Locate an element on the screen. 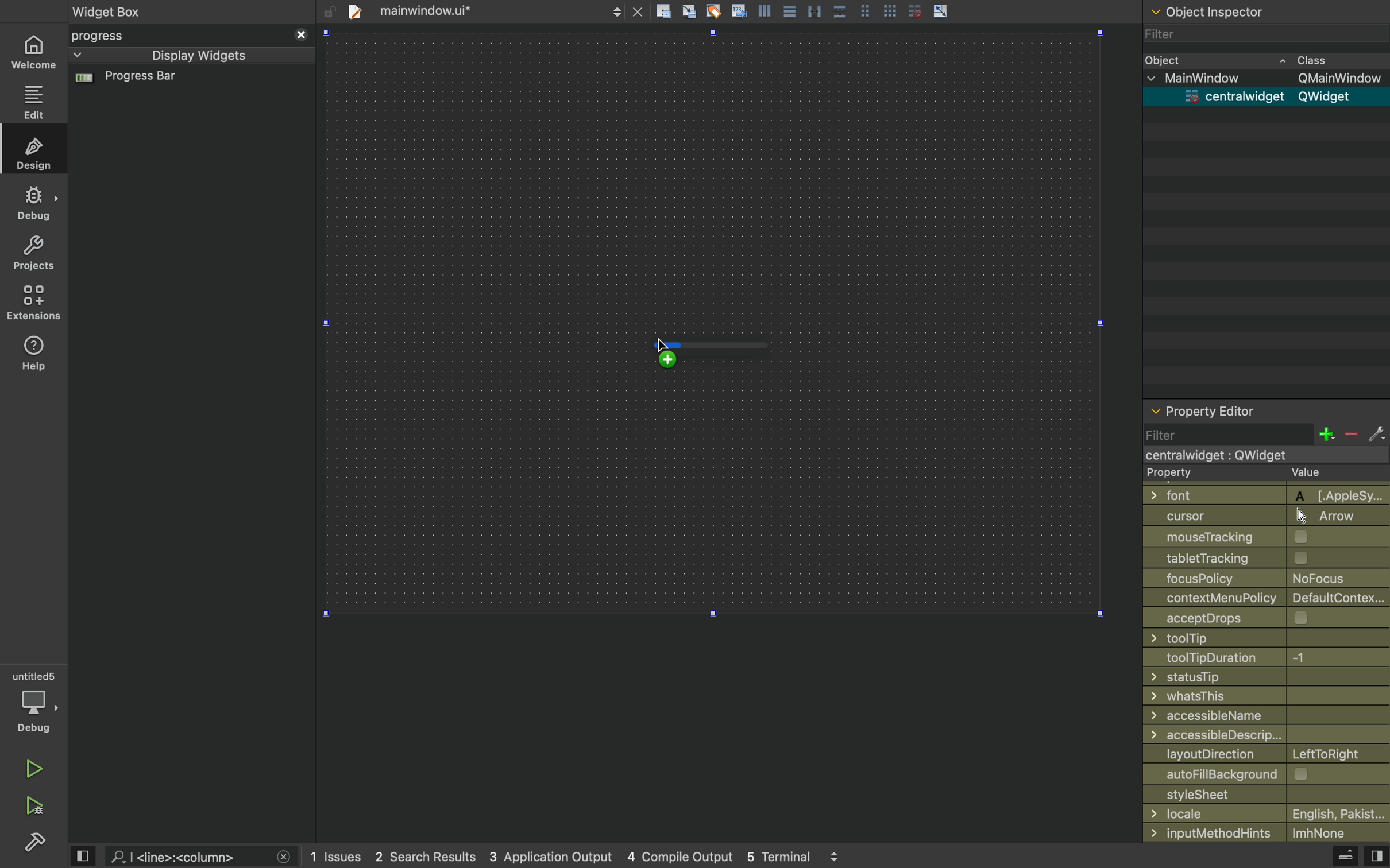 The width and height of the screenshot is (1390, 868). contextmenupolicy is located at coordinates (1268, 597).